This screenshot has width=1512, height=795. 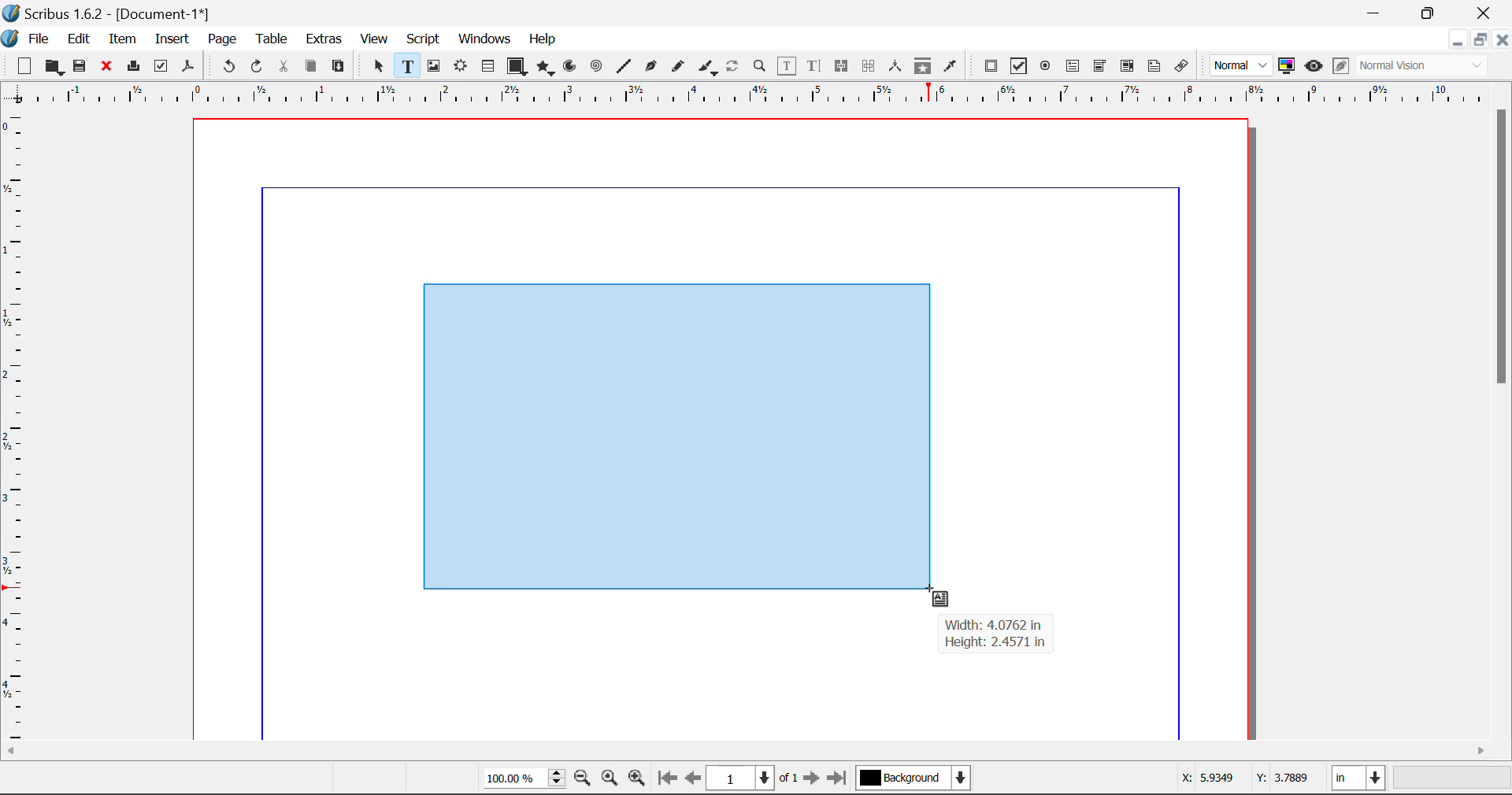 I want to click on Select, so click(x=376, y=65).